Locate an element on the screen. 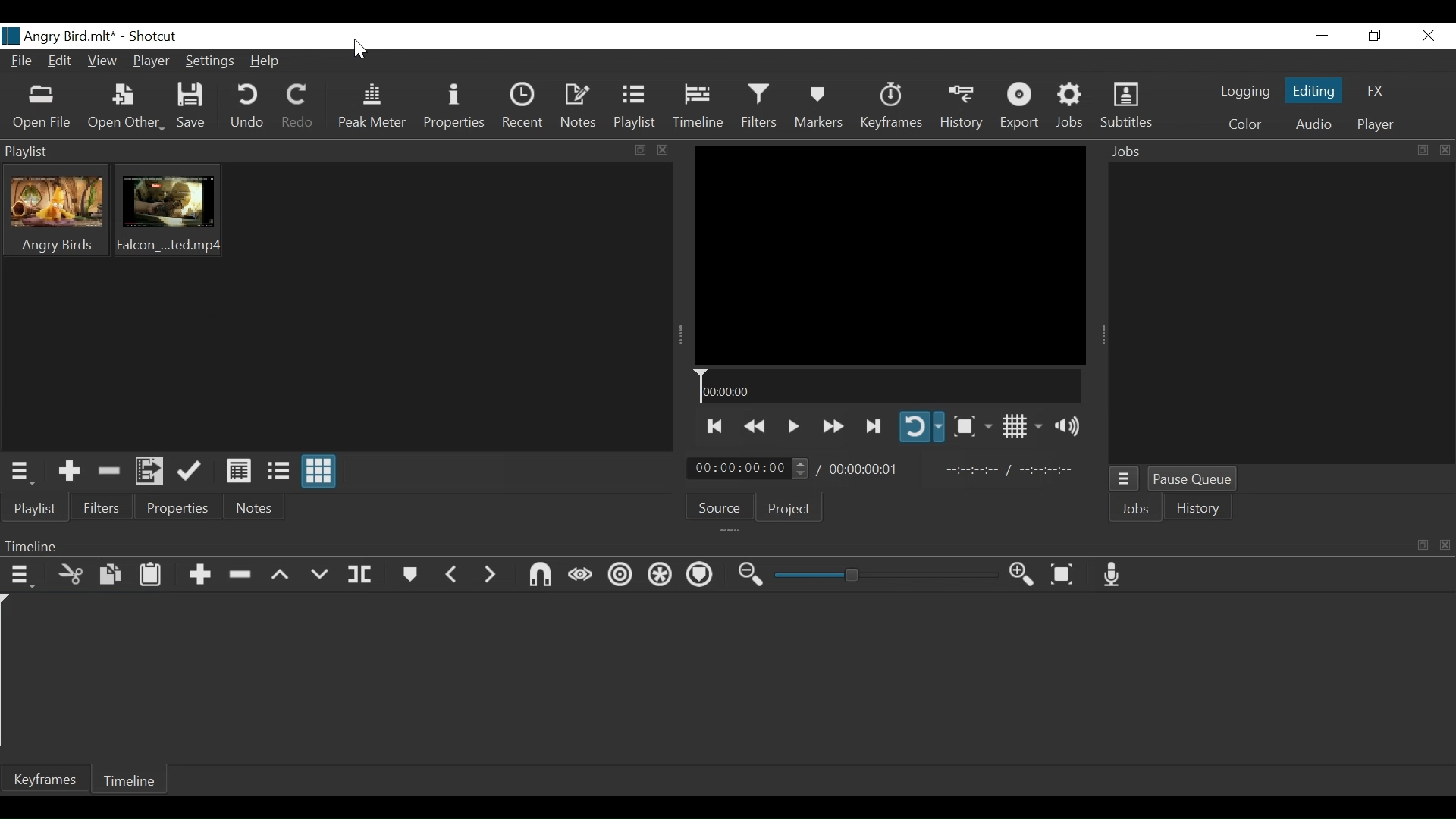 This screenshot has height=819, width=1456. Remove cut is located at coordinates (108, 470).